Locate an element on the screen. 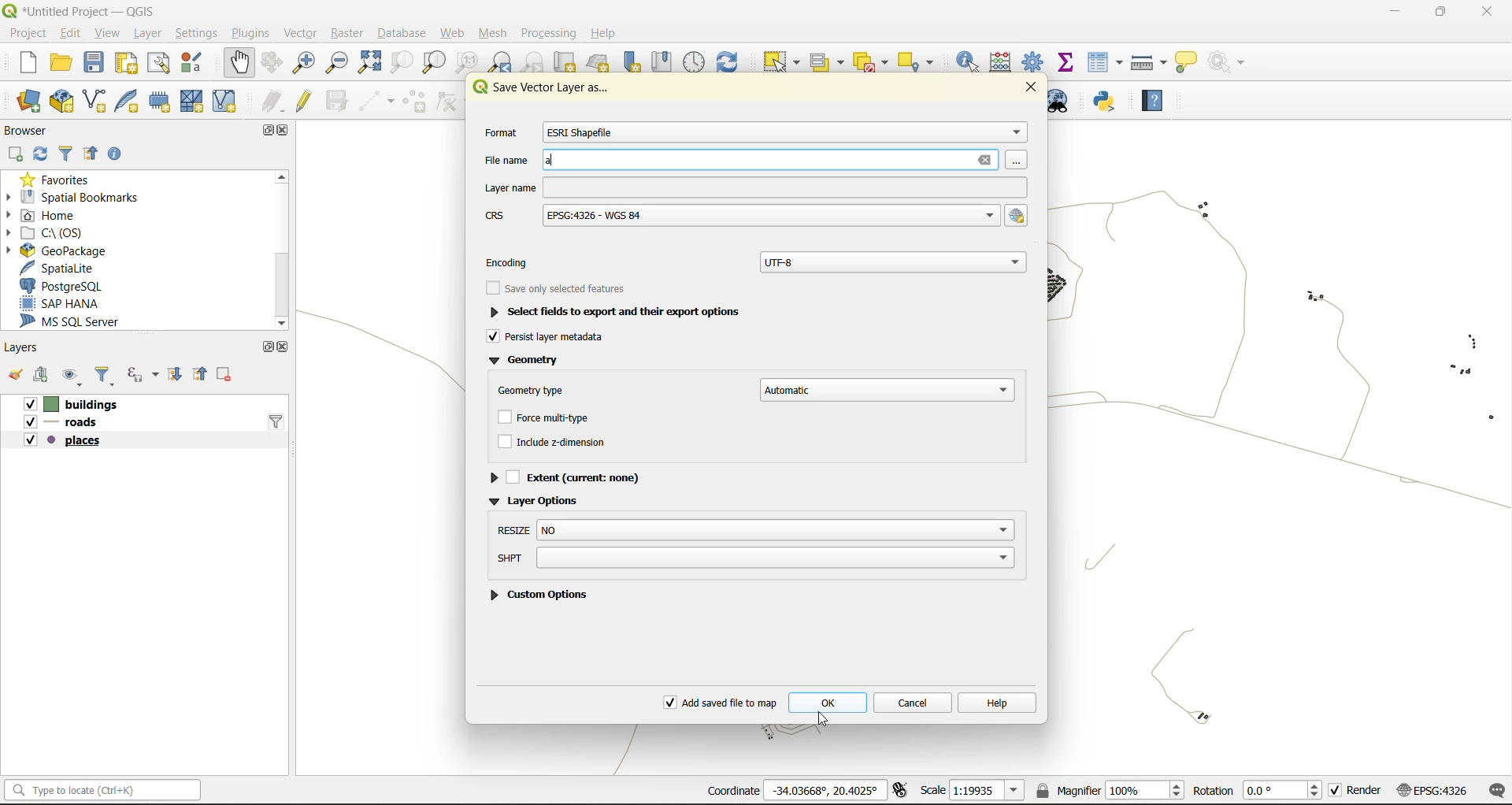 Image resolution: width=1512 pixels, height=805 pixels. open datasource manager is located at coordinates (24, 102).